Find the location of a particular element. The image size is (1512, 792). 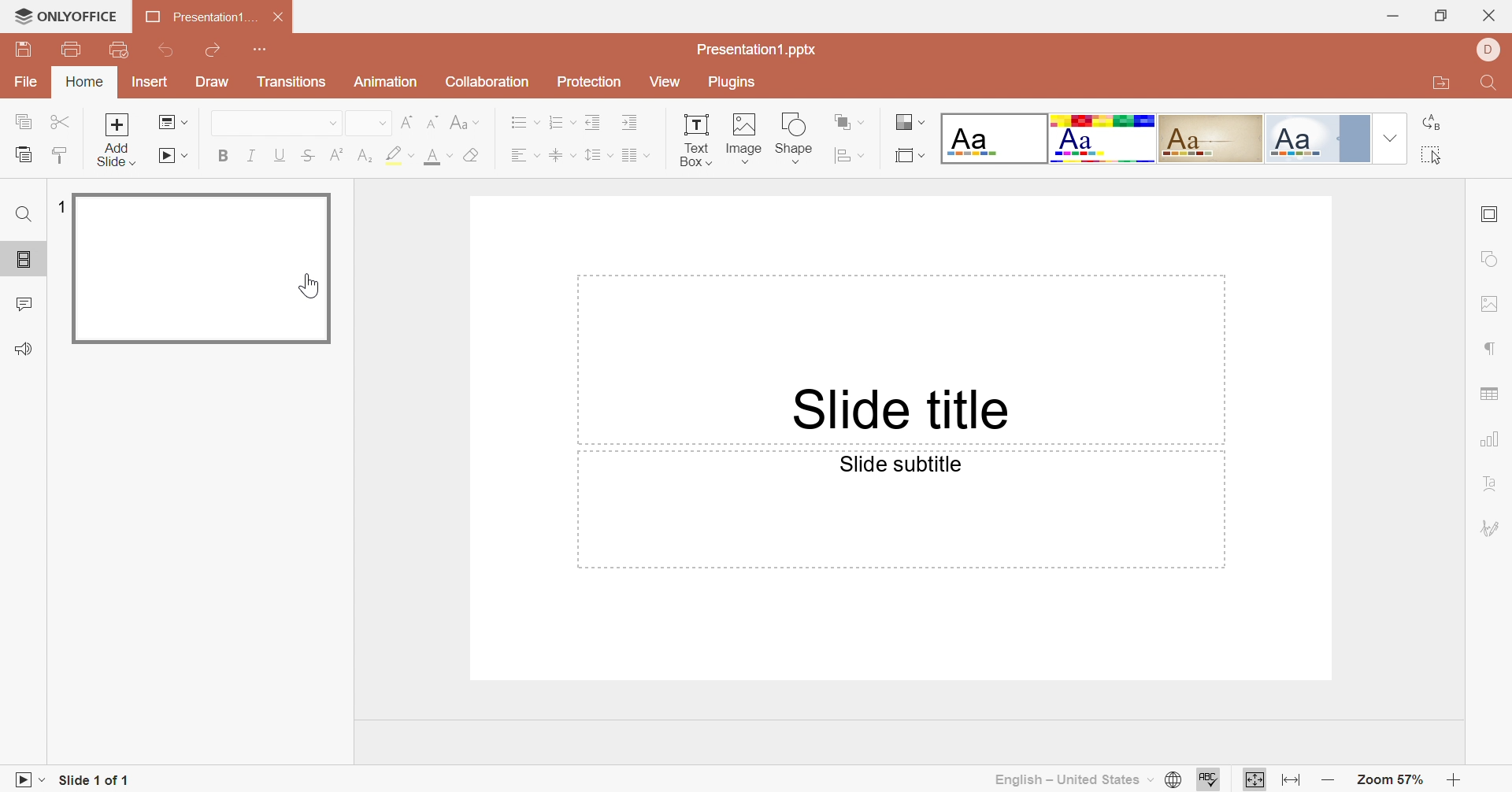

Zoom 57% is located at coordinates (1392, 779).